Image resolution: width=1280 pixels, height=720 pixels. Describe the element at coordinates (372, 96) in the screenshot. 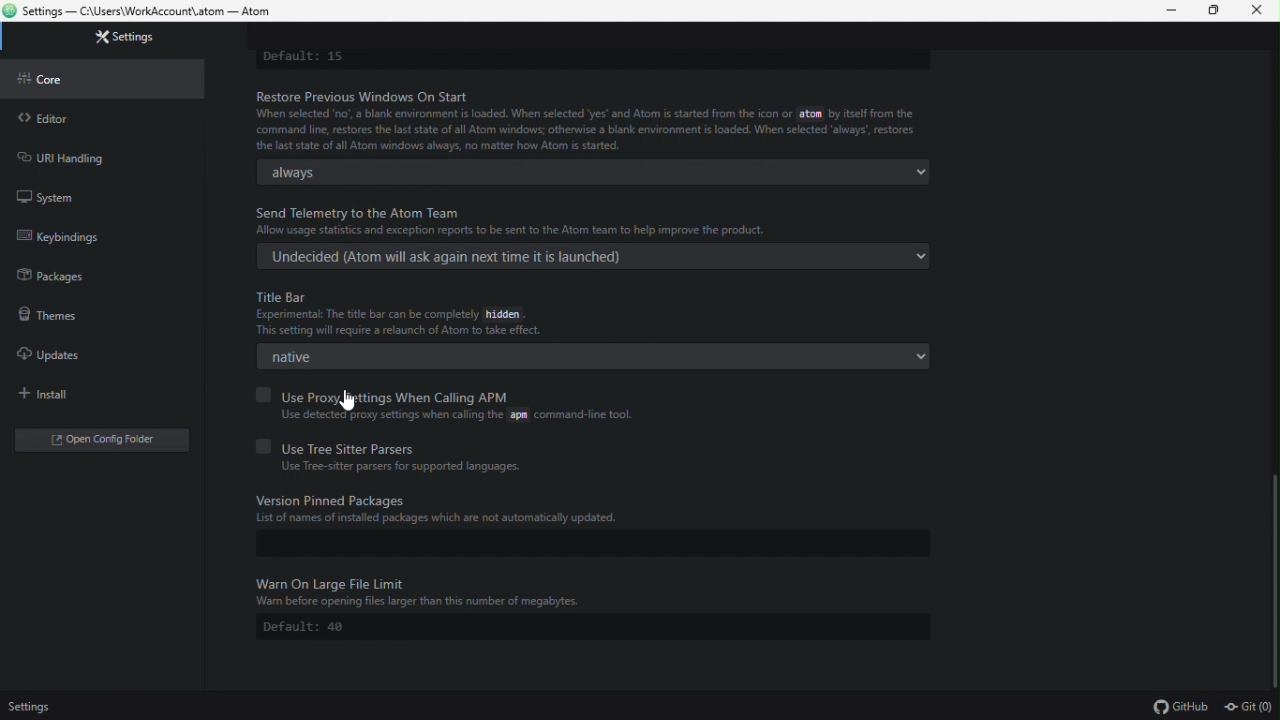

I see `Restore Previous Windows On Start` at that location.